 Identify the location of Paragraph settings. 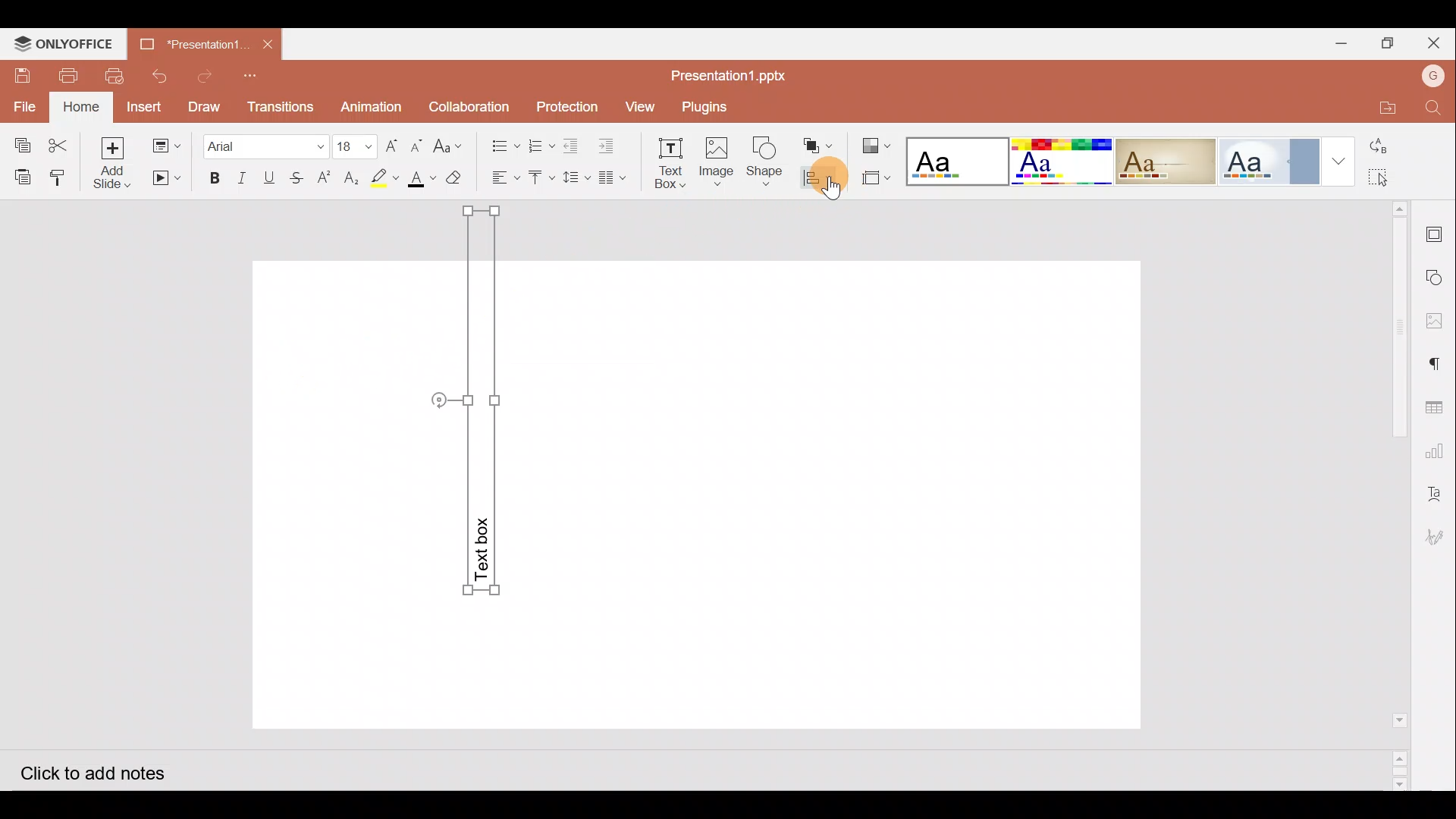
(1441, 362).